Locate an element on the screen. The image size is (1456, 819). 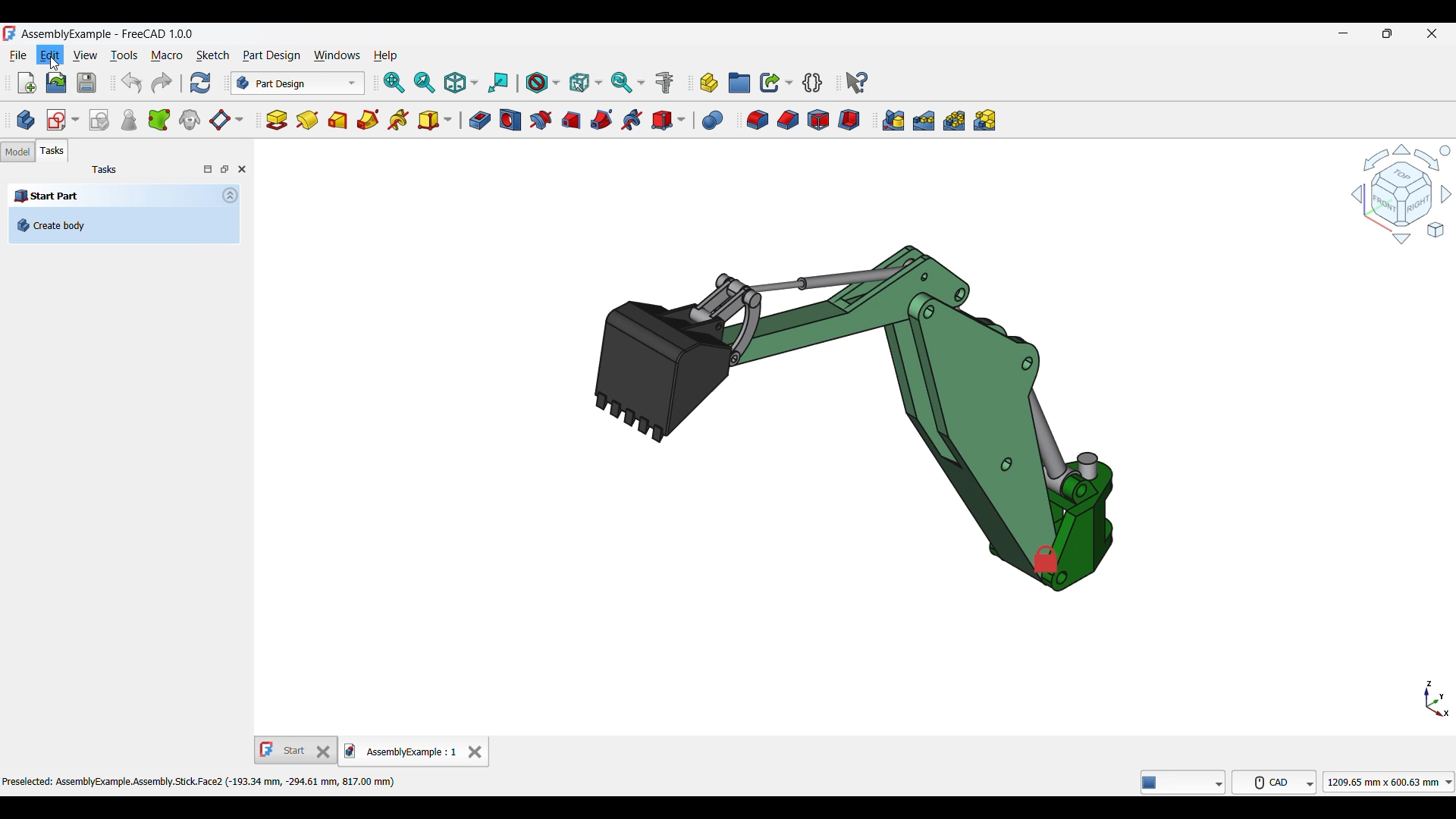
Isometric options is located at coordinates (461, 83).